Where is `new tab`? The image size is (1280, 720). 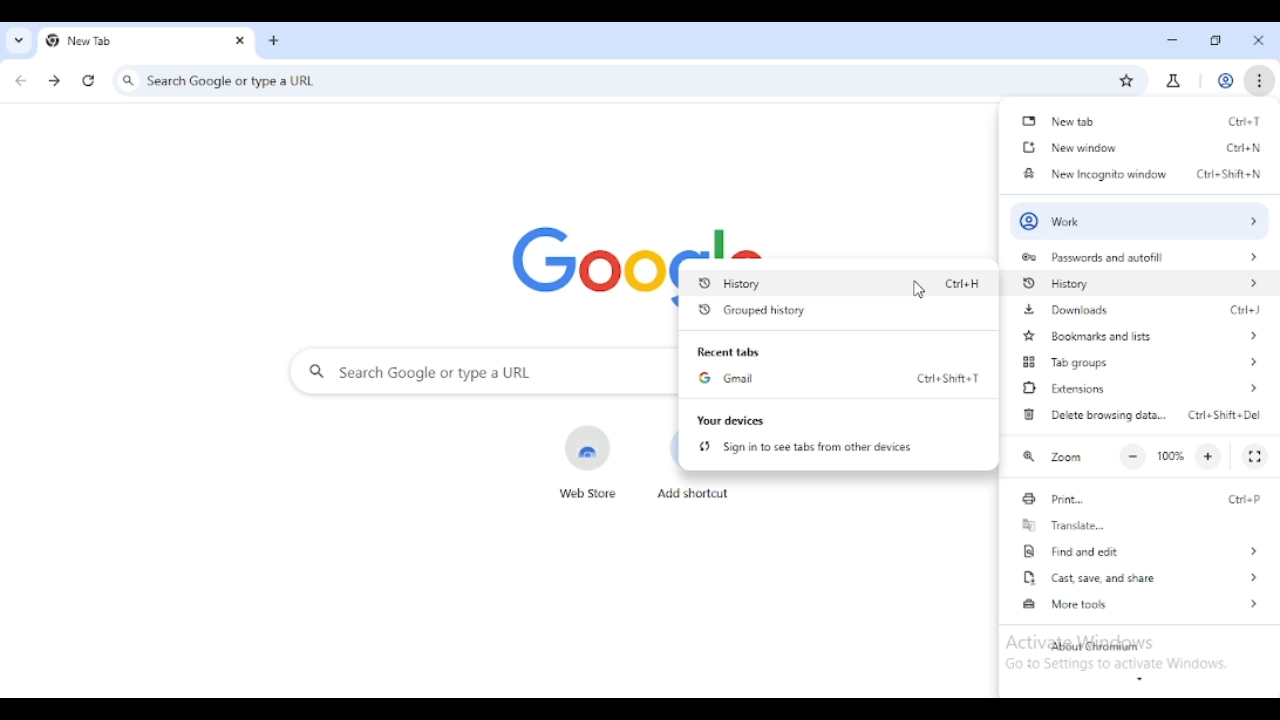
new tab is located at coordinates (274, 41).